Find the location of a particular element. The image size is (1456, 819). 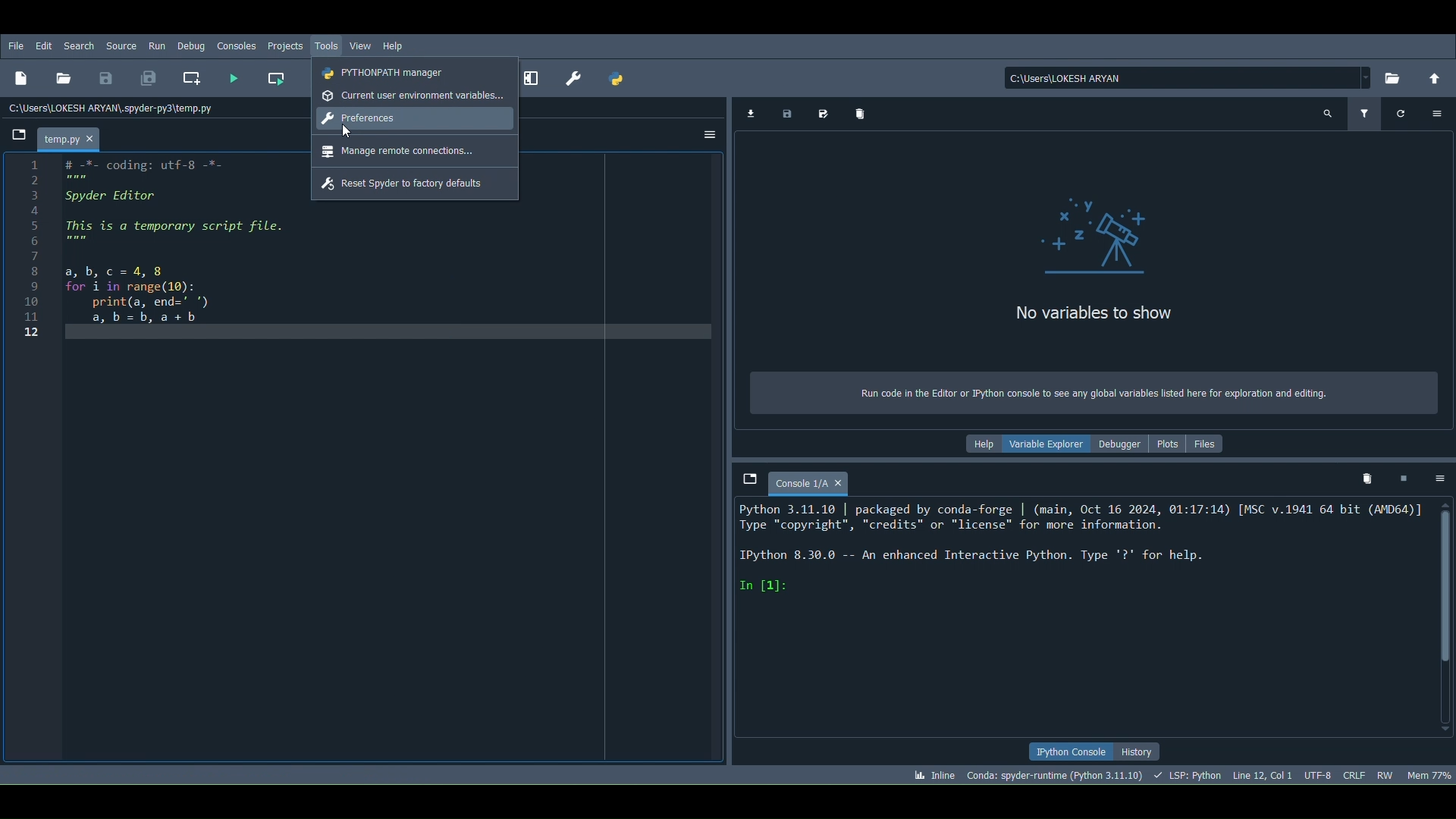

Manage remote connections is located at coordinates (403, 151).